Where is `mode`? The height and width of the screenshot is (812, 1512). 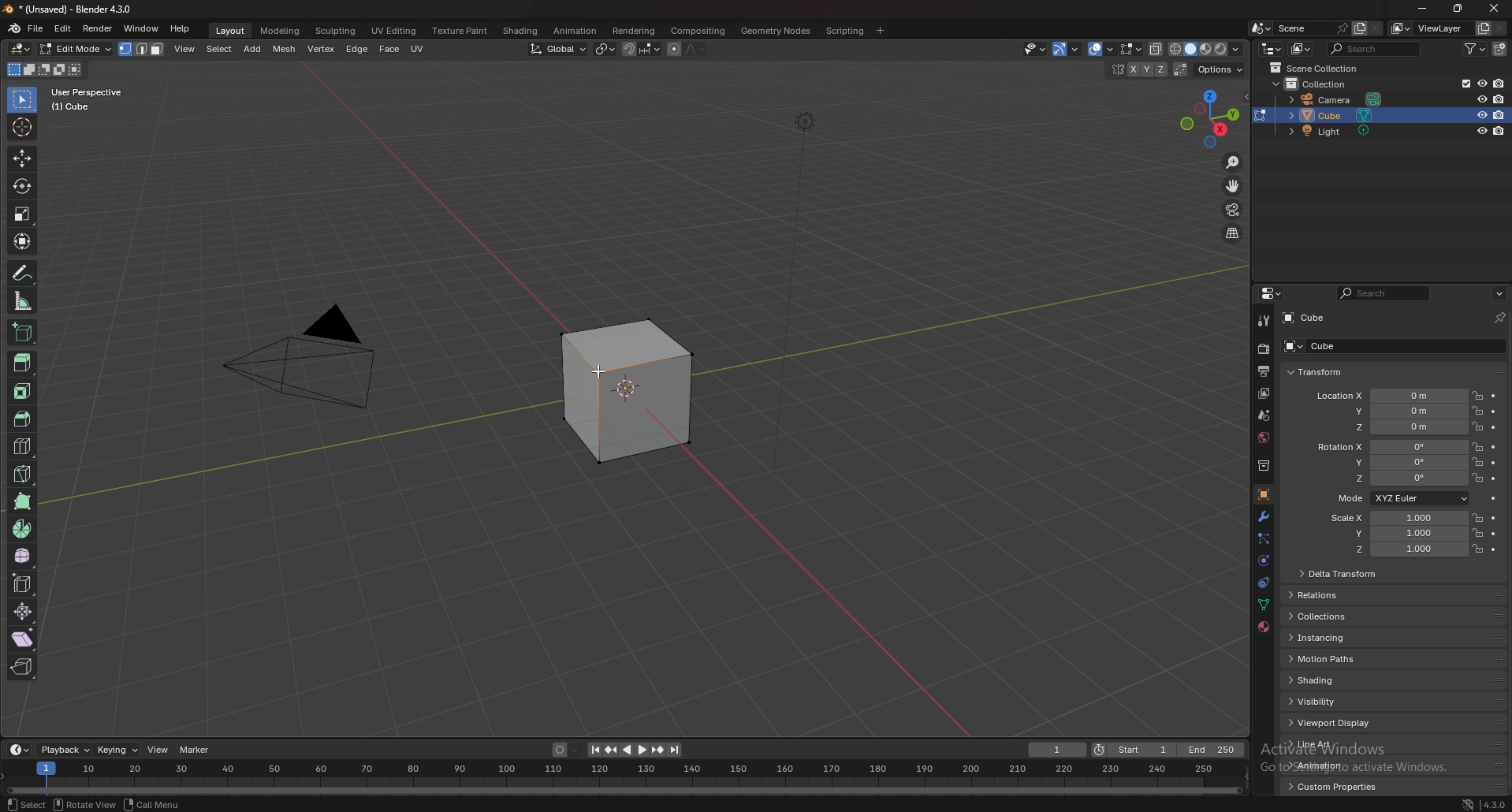 mode is located at coordinates (1401, 498).